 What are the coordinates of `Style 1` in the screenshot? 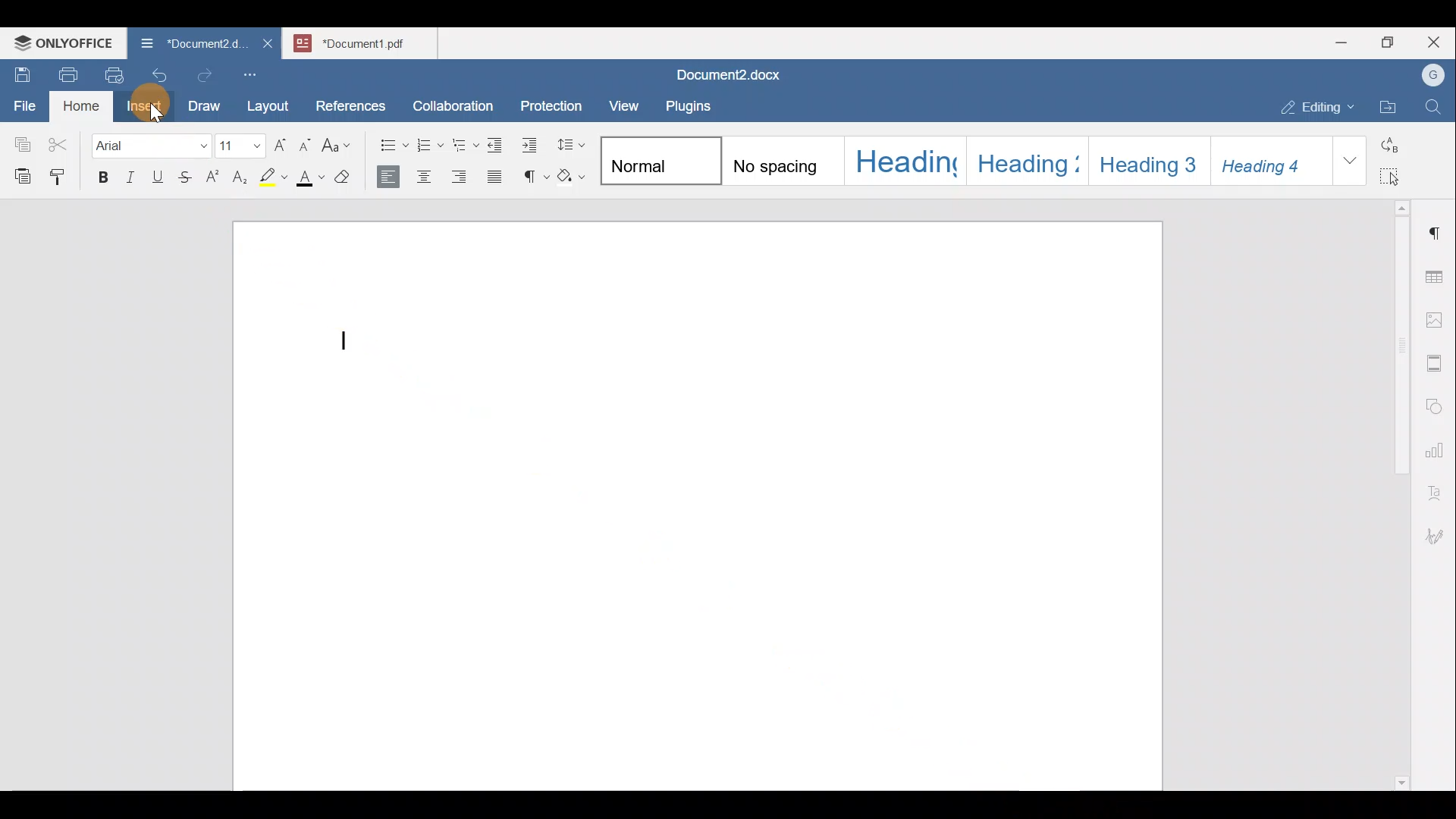 It's located at (658, 158).